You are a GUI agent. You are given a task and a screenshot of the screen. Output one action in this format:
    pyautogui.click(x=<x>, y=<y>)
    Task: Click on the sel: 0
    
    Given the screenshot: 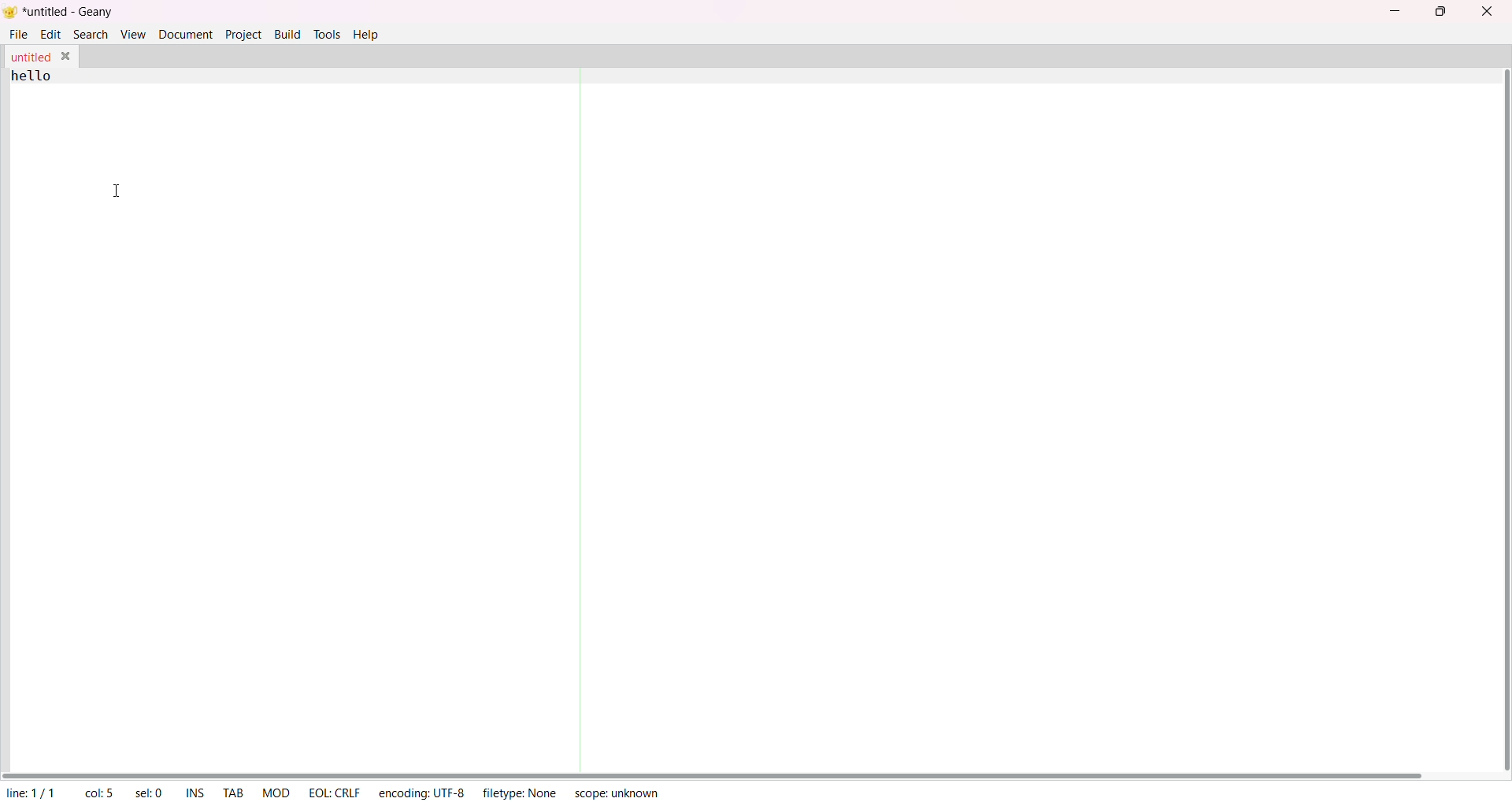 What is the action you would take?
    pyautogui.click(x=149, y=793)
    